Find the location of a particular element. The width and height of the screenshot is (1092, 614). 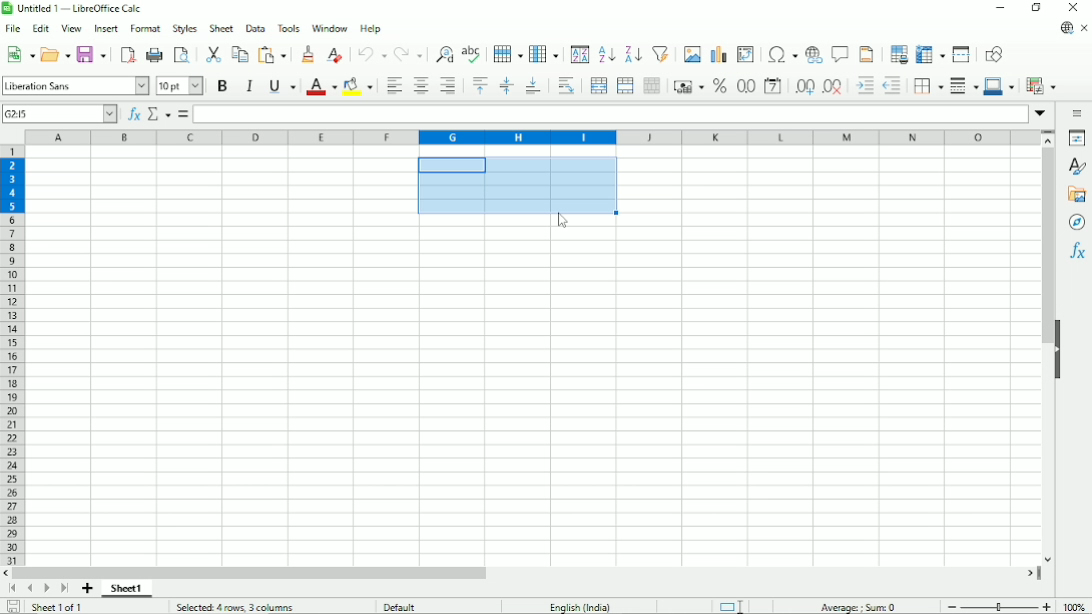

Column headings is located at coordinates (532, 137).